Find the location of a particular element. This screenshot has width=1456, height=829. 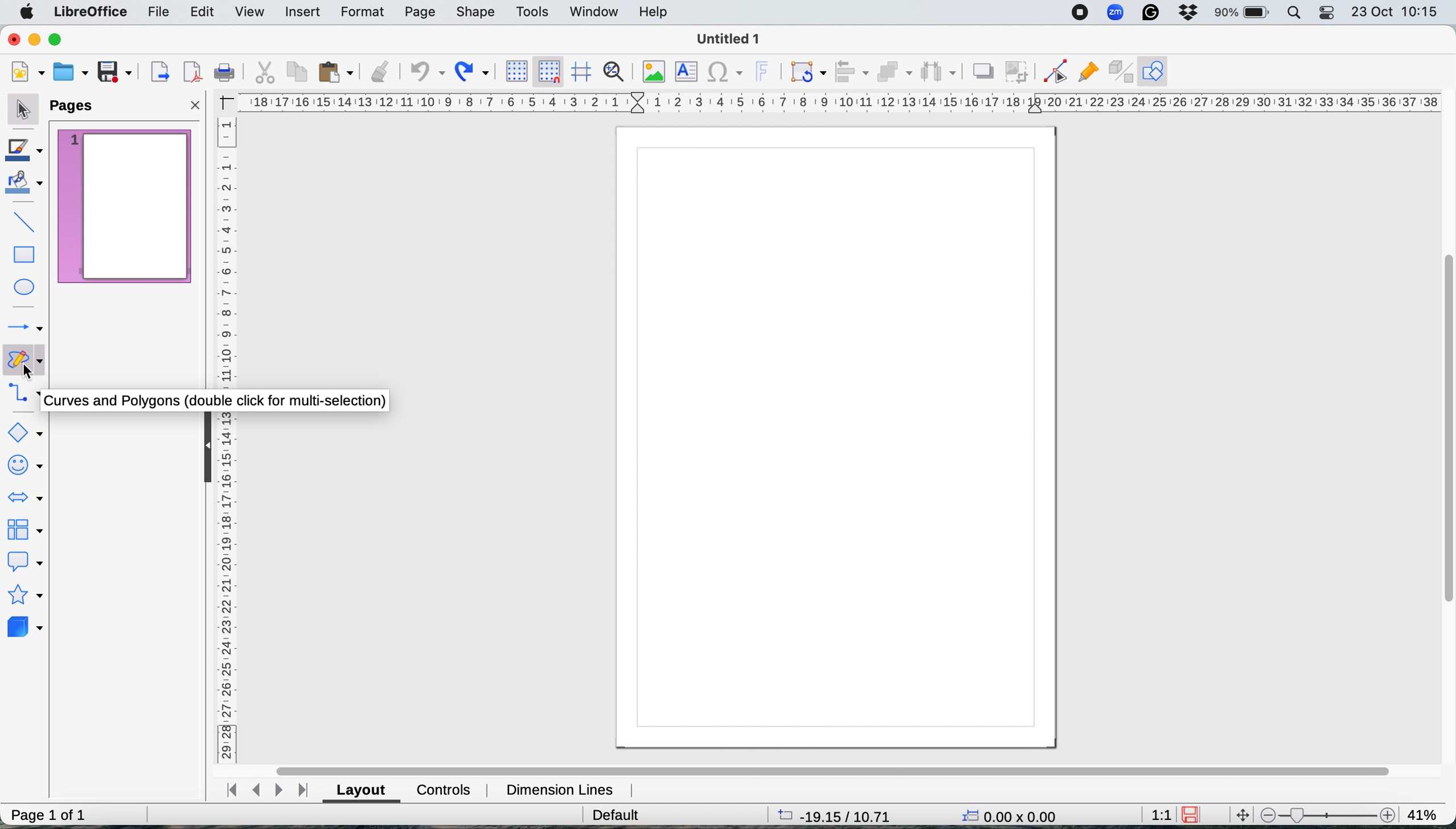

system logo is located at coordinates (27, 13).